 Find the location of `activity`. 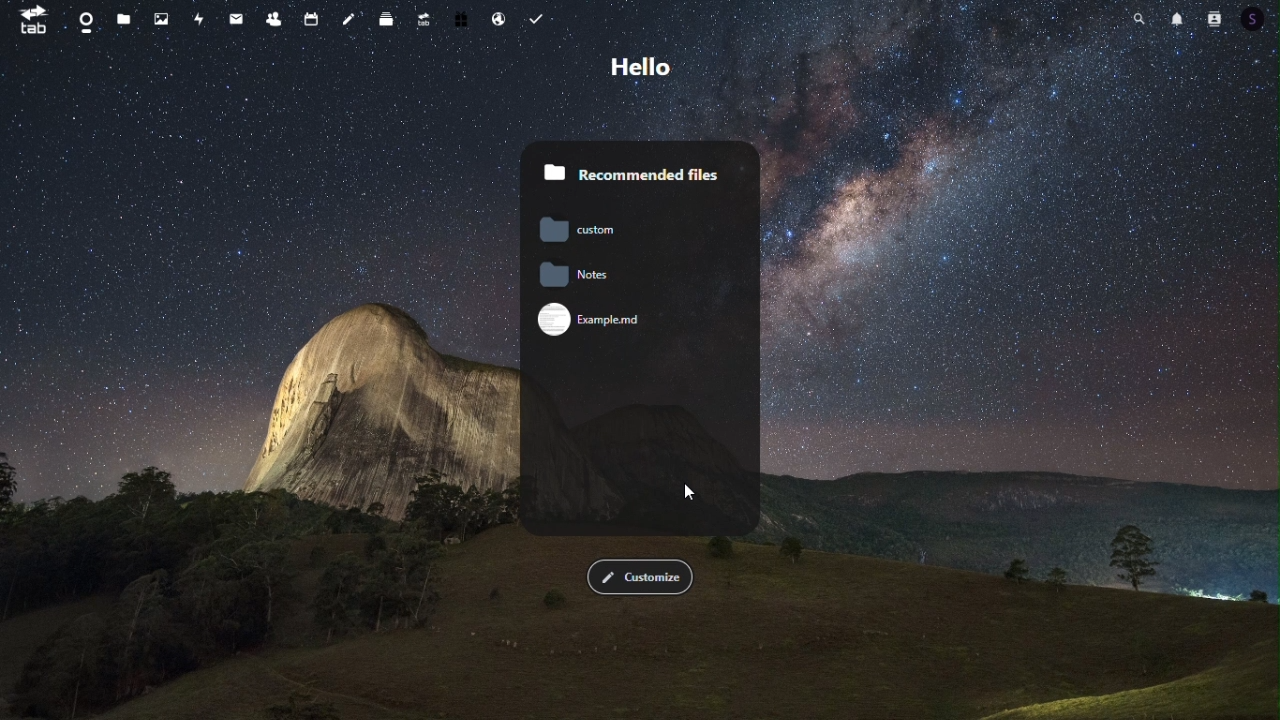

activity is located at coordinates (198, 17).